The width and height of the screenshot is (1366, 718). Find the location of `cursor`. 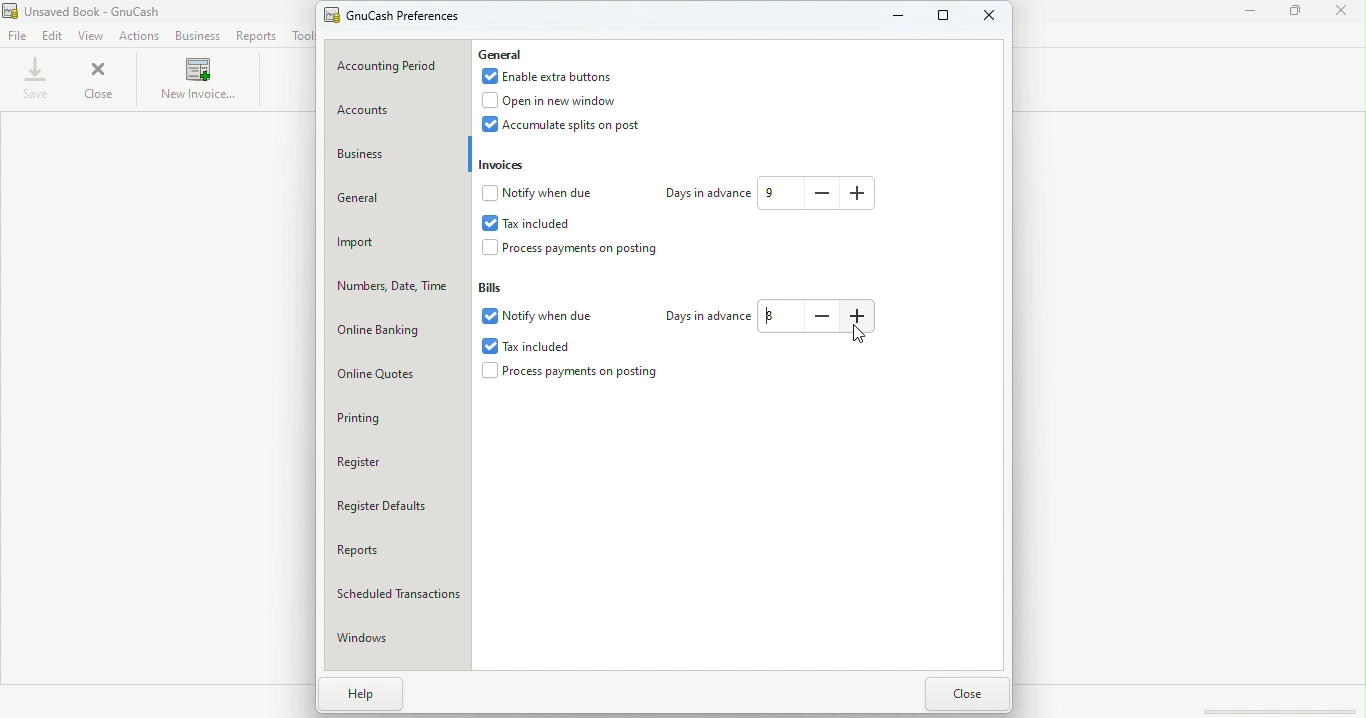

cursor is located at coordinates (861, 337).